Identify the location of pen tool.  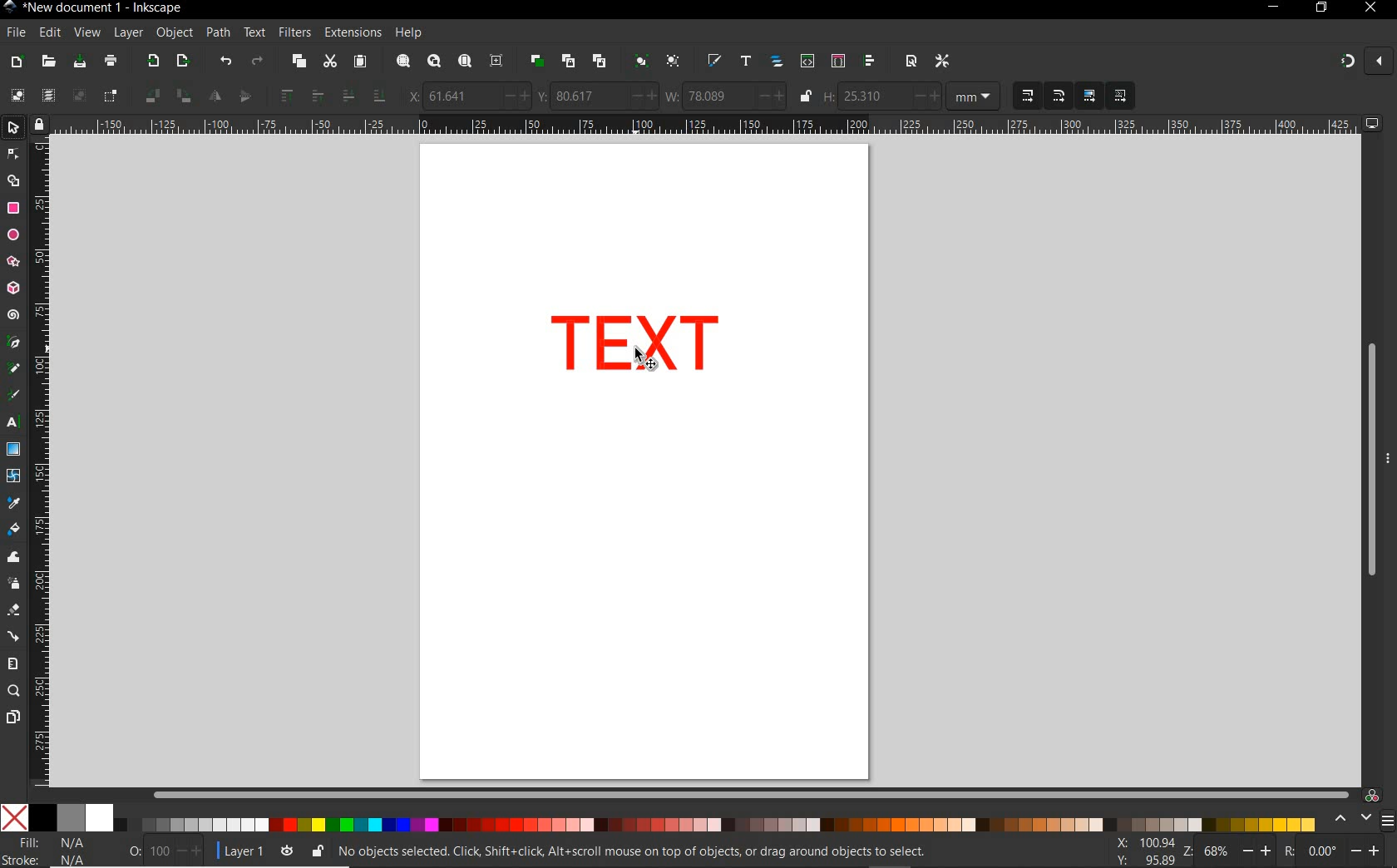
(12, 343).